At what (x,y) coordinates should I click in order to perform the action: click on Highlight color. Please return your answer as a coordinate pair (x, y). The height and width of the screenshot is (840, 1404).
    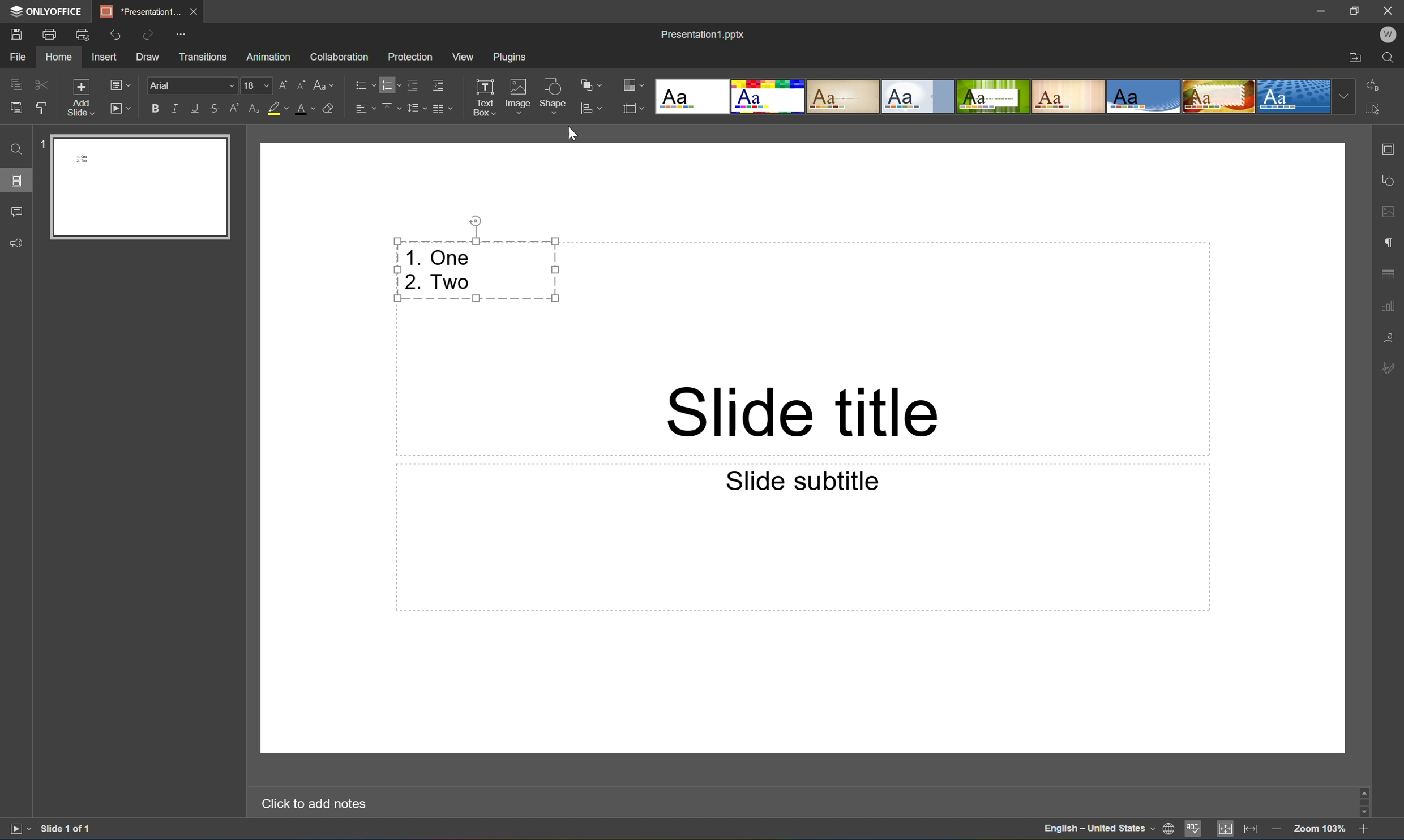
    Looking at the image, I should click on (277, 106).